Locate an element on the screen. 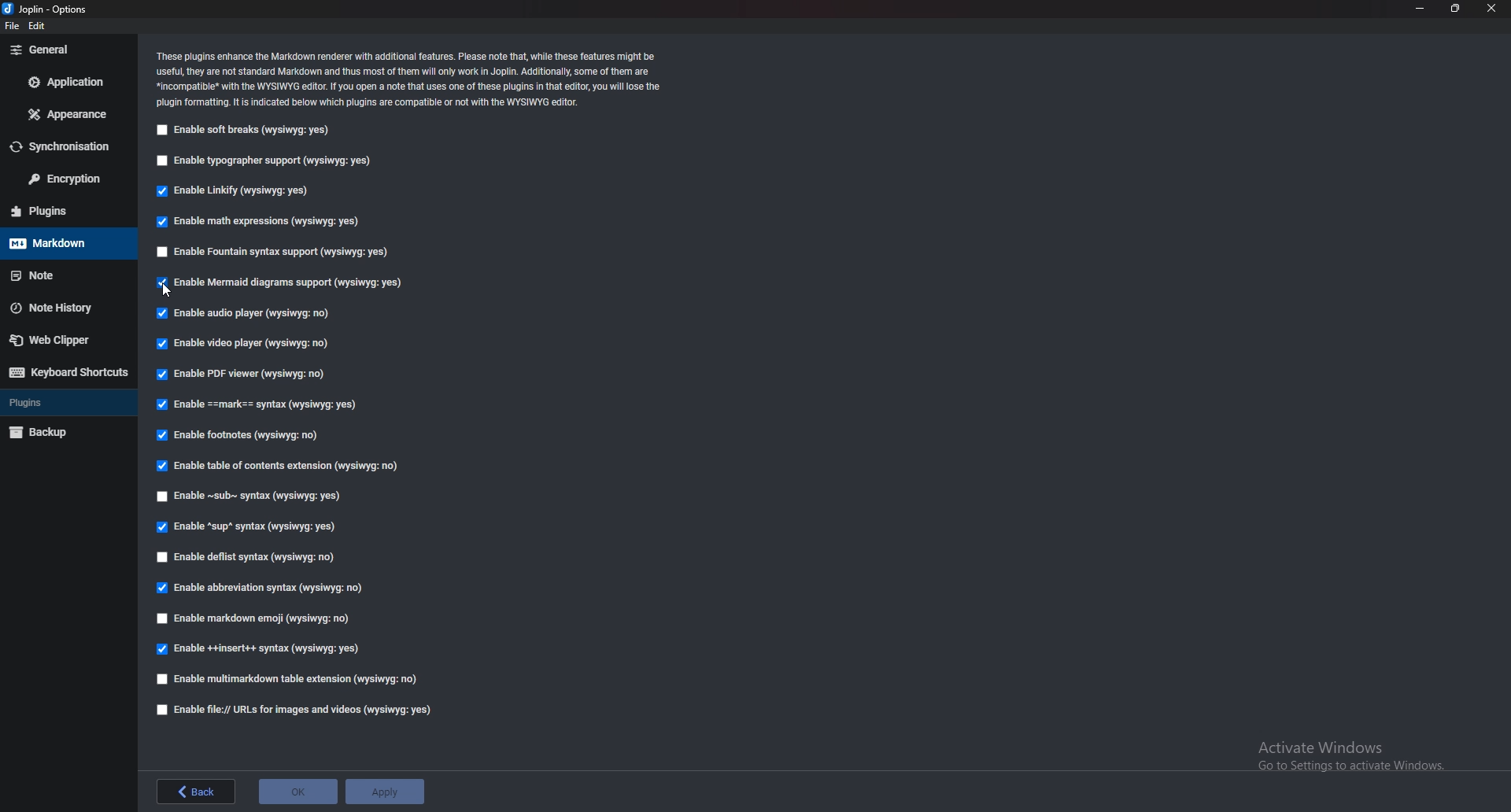 This screenshot has width=1511, height=812. Plugins is located at coordinates (60, 212).